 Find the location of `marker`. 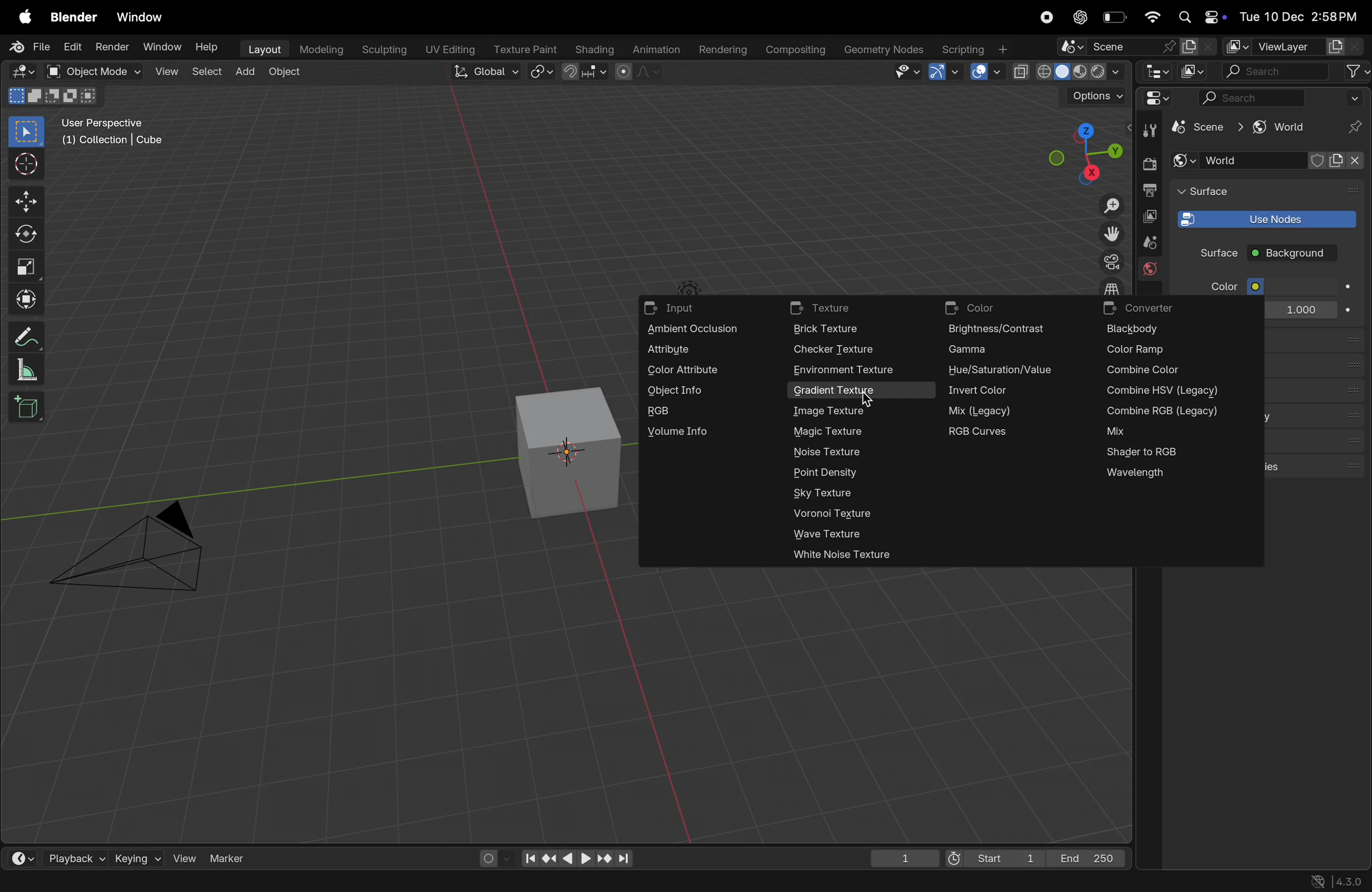

marker is located at coordinates (228, 857).